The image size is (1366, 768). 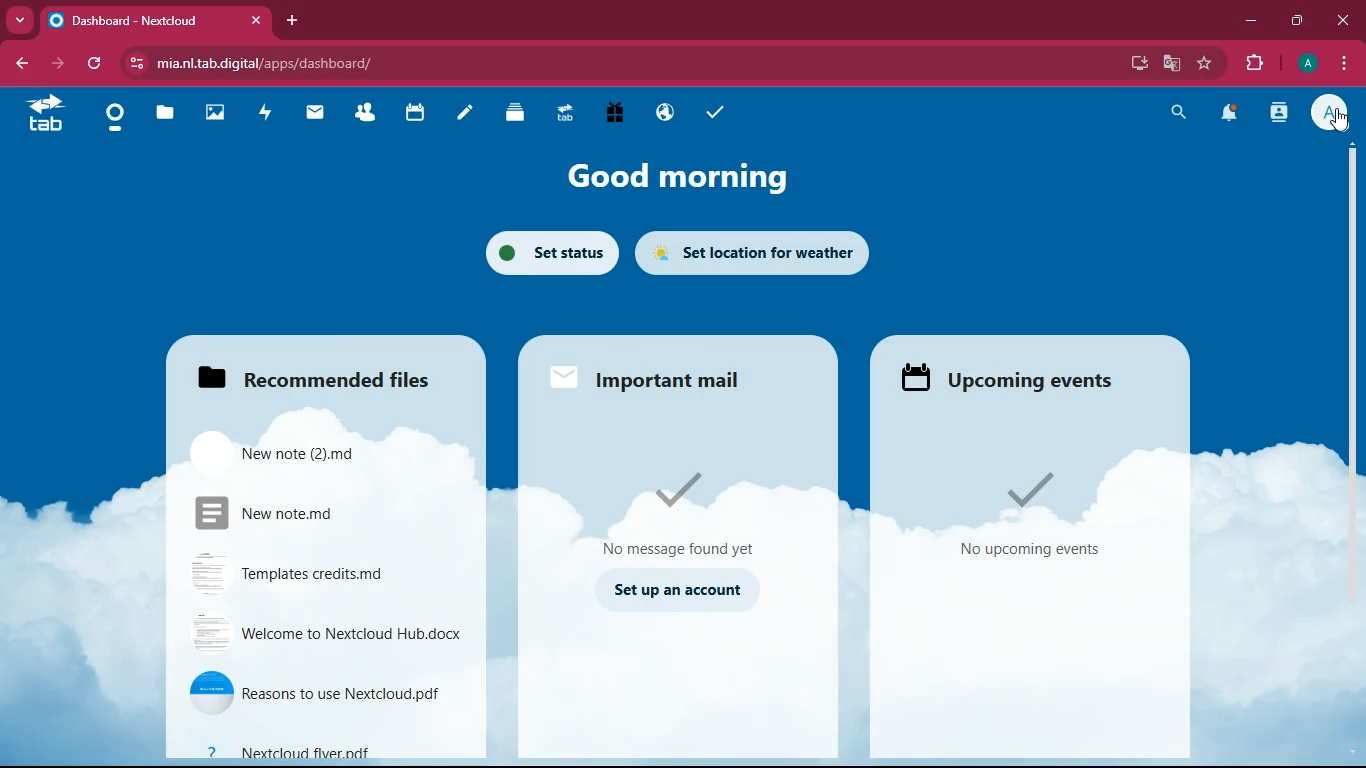 I want to click on calendar, so click(x=417, y=112).